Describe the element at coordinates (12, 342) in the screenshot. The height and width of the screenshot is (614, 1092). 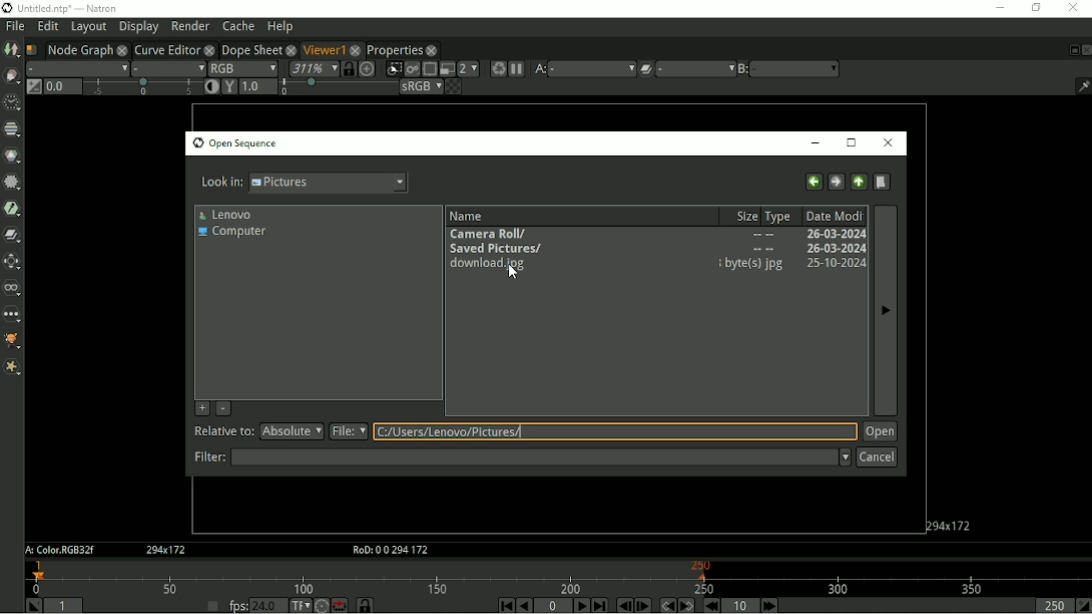
I see `GMIC` at that location.